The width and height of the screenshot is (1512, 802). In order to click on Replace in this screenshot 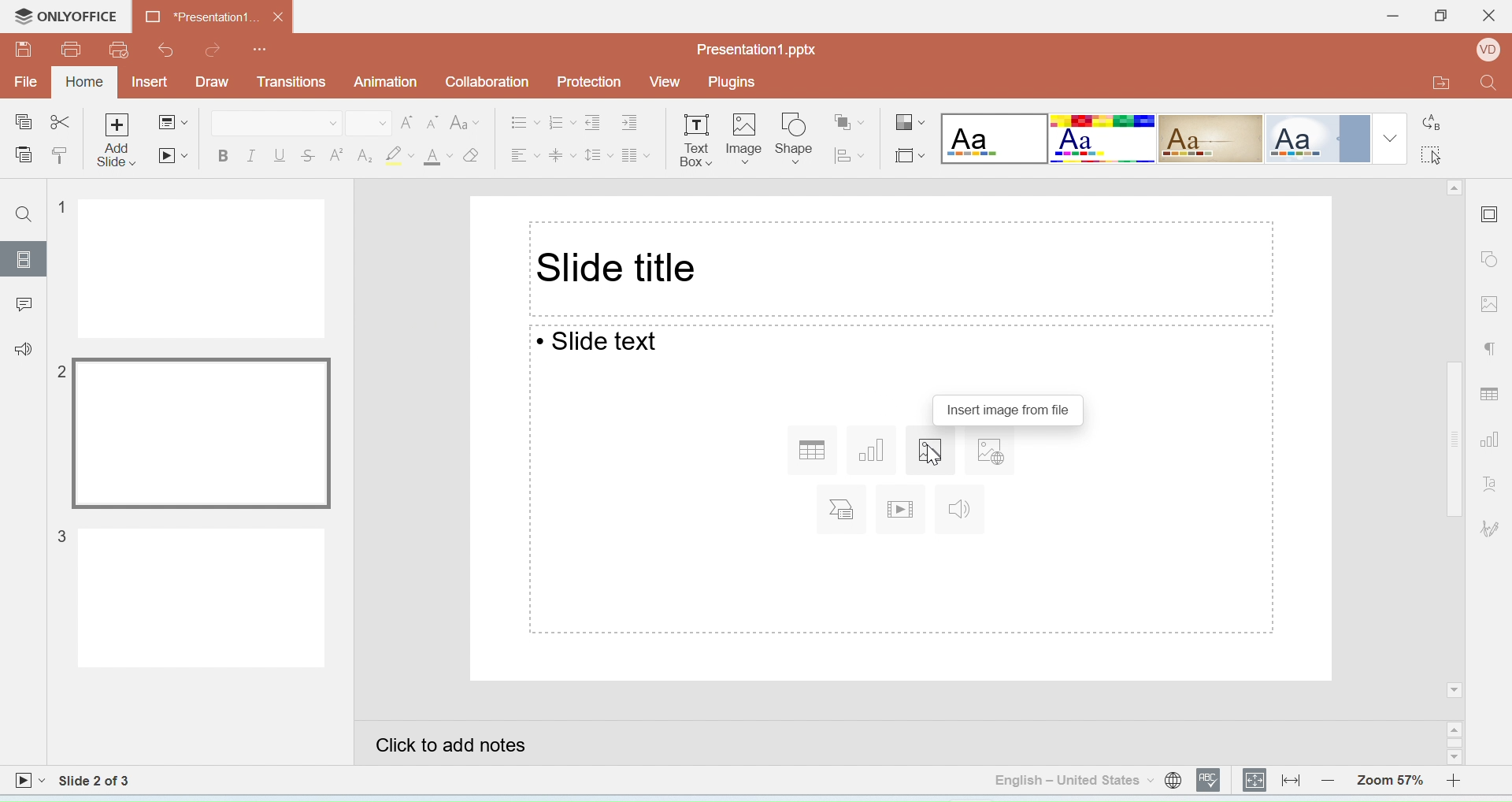, I will do `click(1433, 117)`.